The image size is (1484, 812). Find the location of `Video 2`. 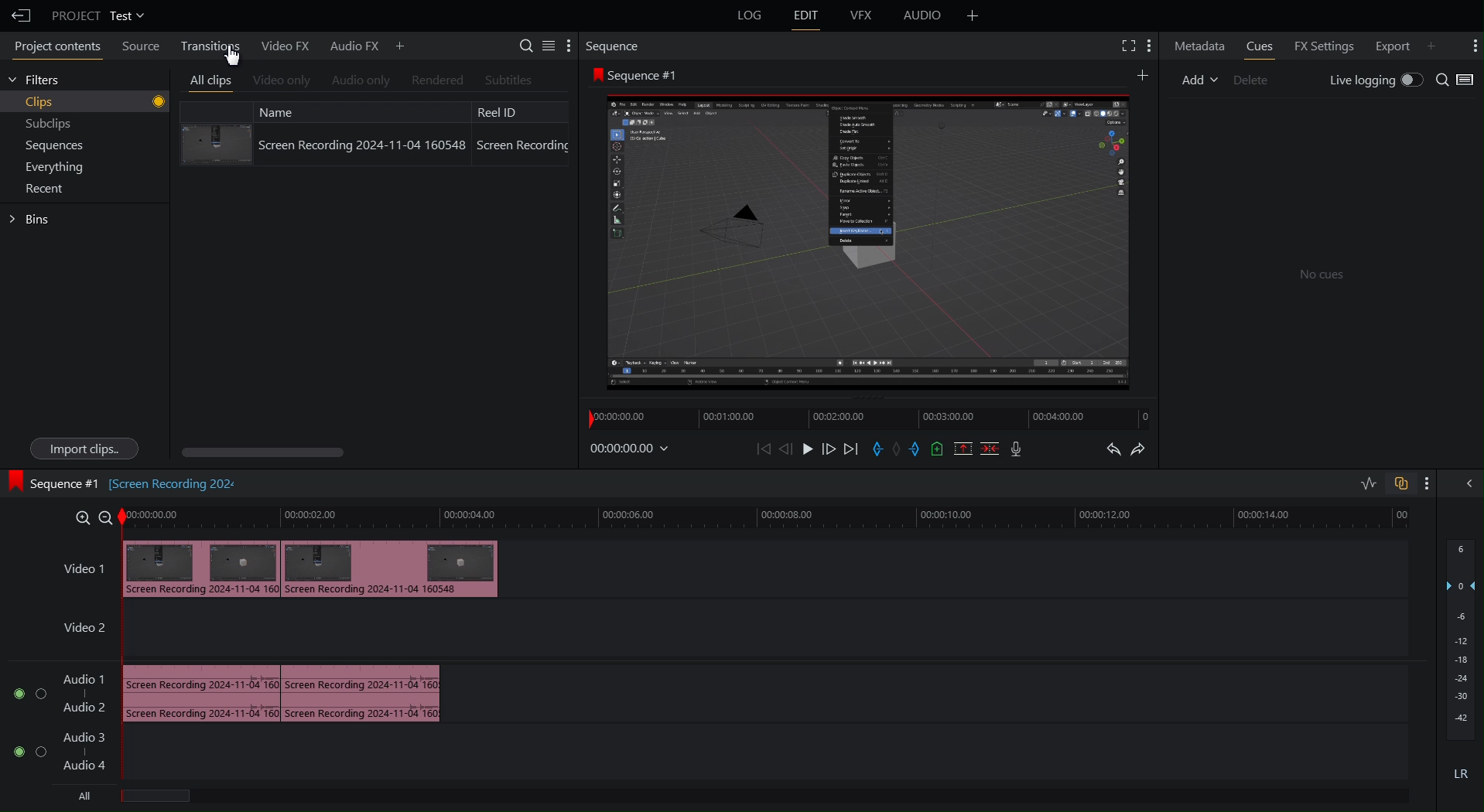

Video 2 is located at coordinates (78, 630).